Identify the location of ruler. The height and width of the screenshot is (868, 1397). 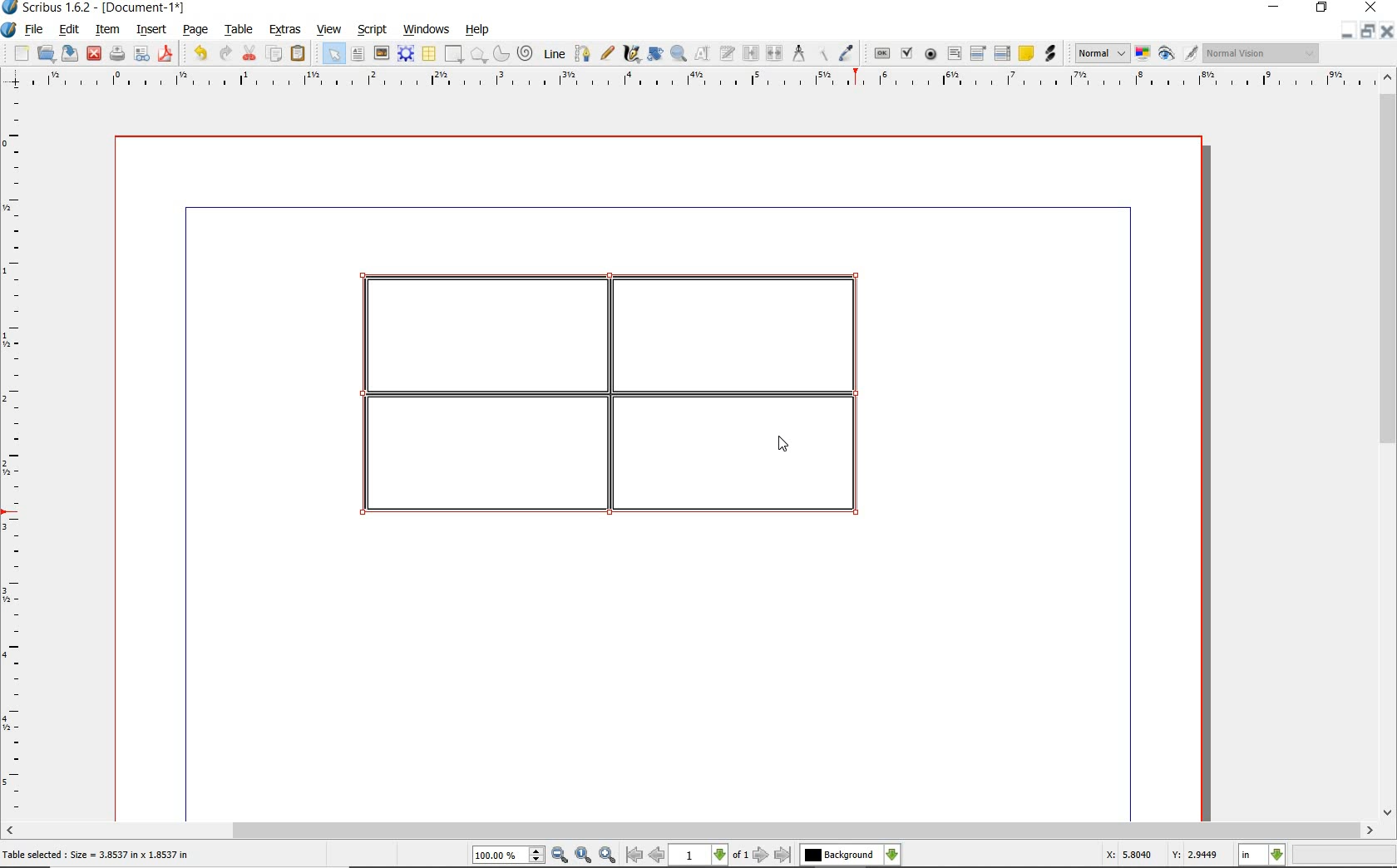
(706, 80).